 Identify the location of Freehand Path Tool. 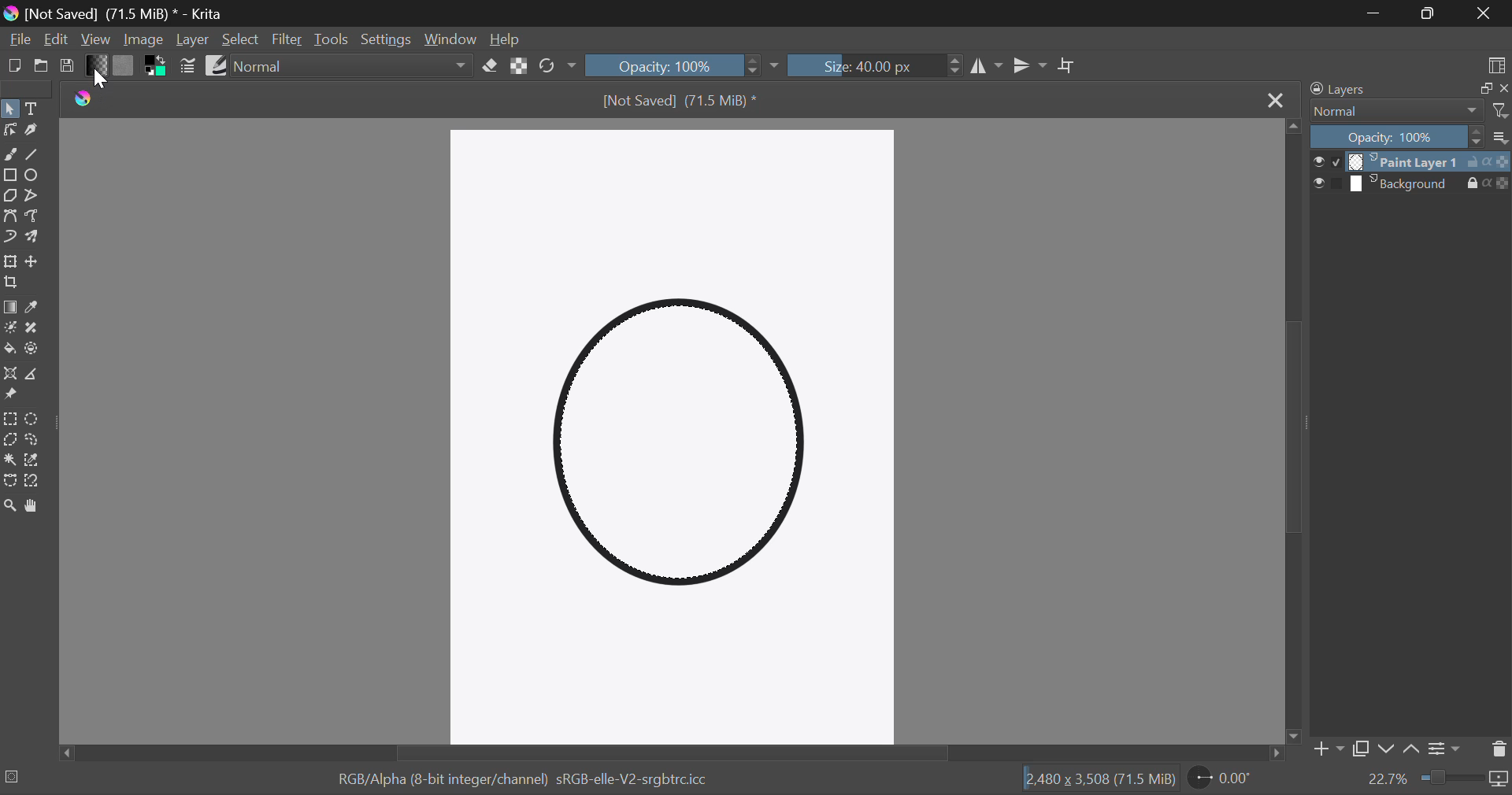
(35, 217).